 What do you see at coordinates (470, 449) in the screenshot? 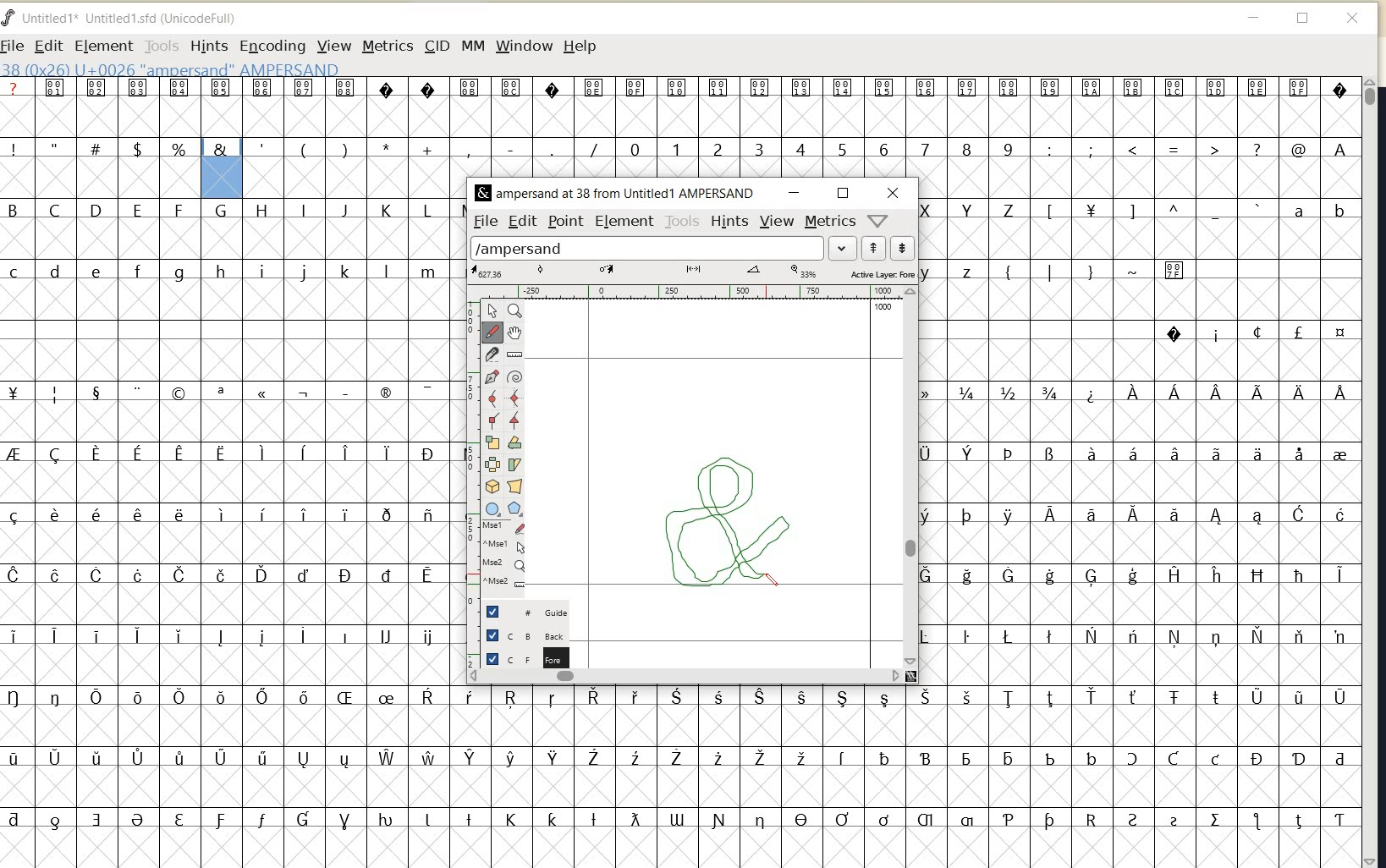
I see `SCALE` at bounding box center [470, 449].